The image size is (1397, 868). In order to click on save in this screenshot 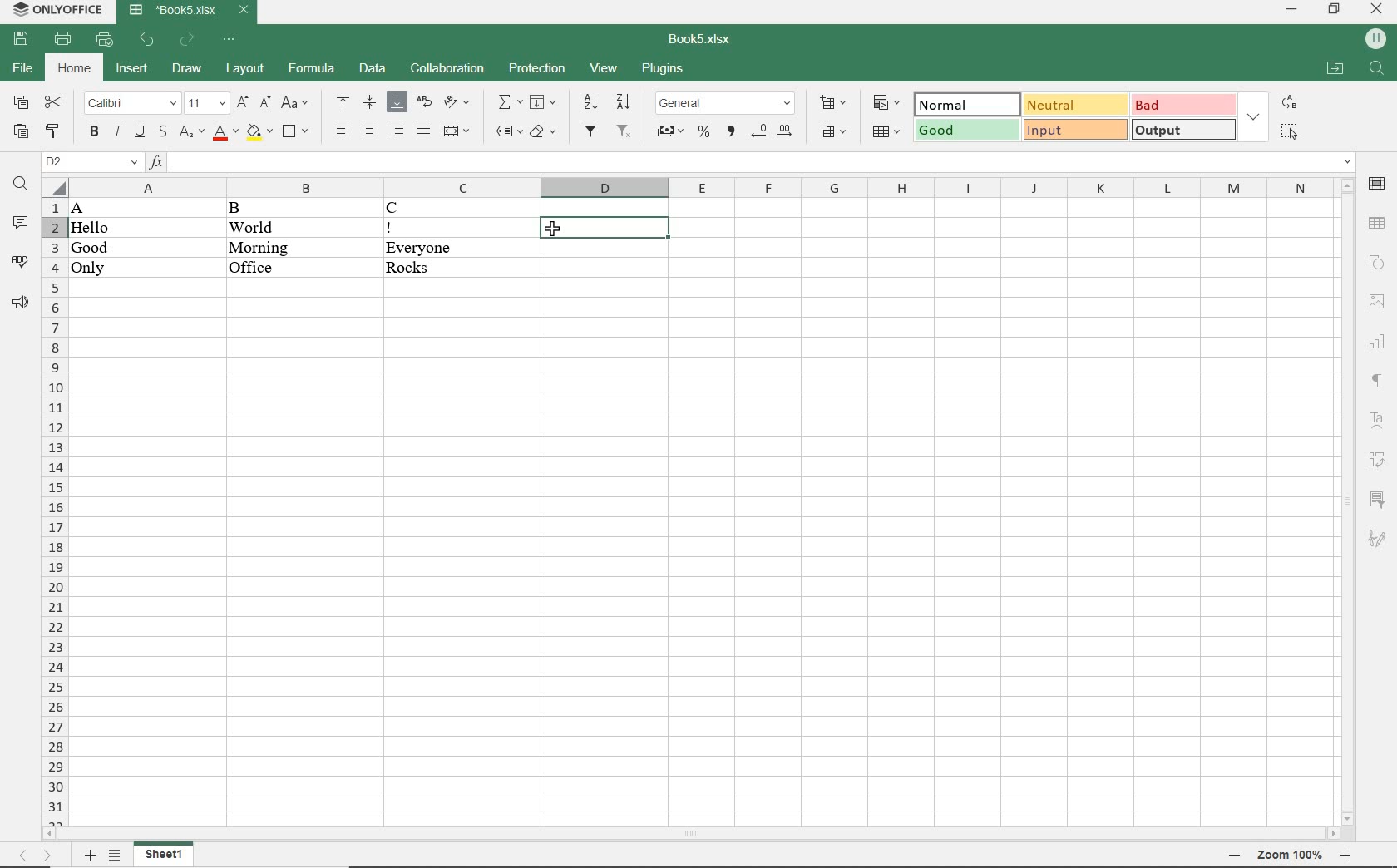, I will do `click(23, 39)`.